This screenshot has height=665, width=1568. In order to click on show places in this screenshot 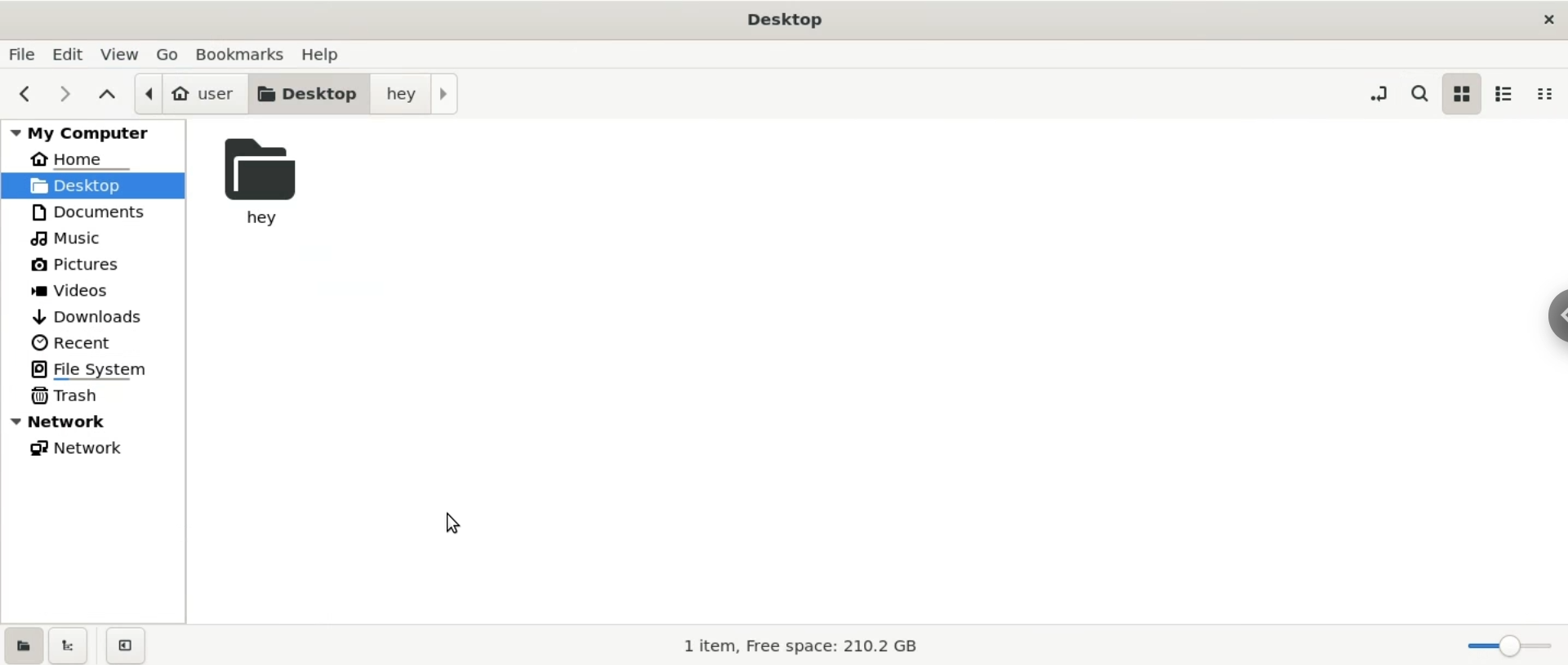, I will do `click(23, 645)`.